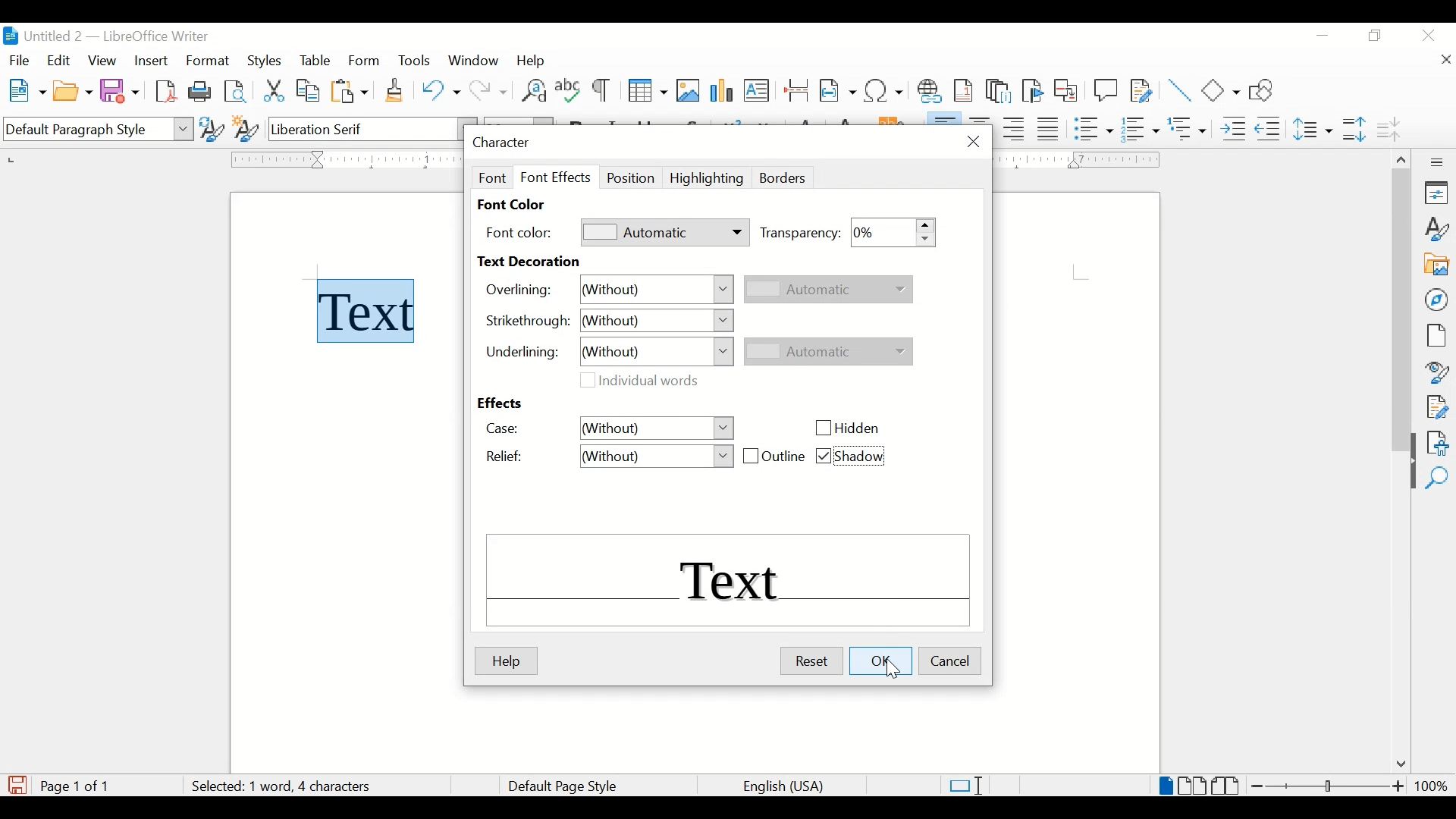 This screenshot has width=1456, height=819. What do you see at coordinates (1166, 786) in the screenshot?
I see `single page view` at bounding box center [1166, 786].